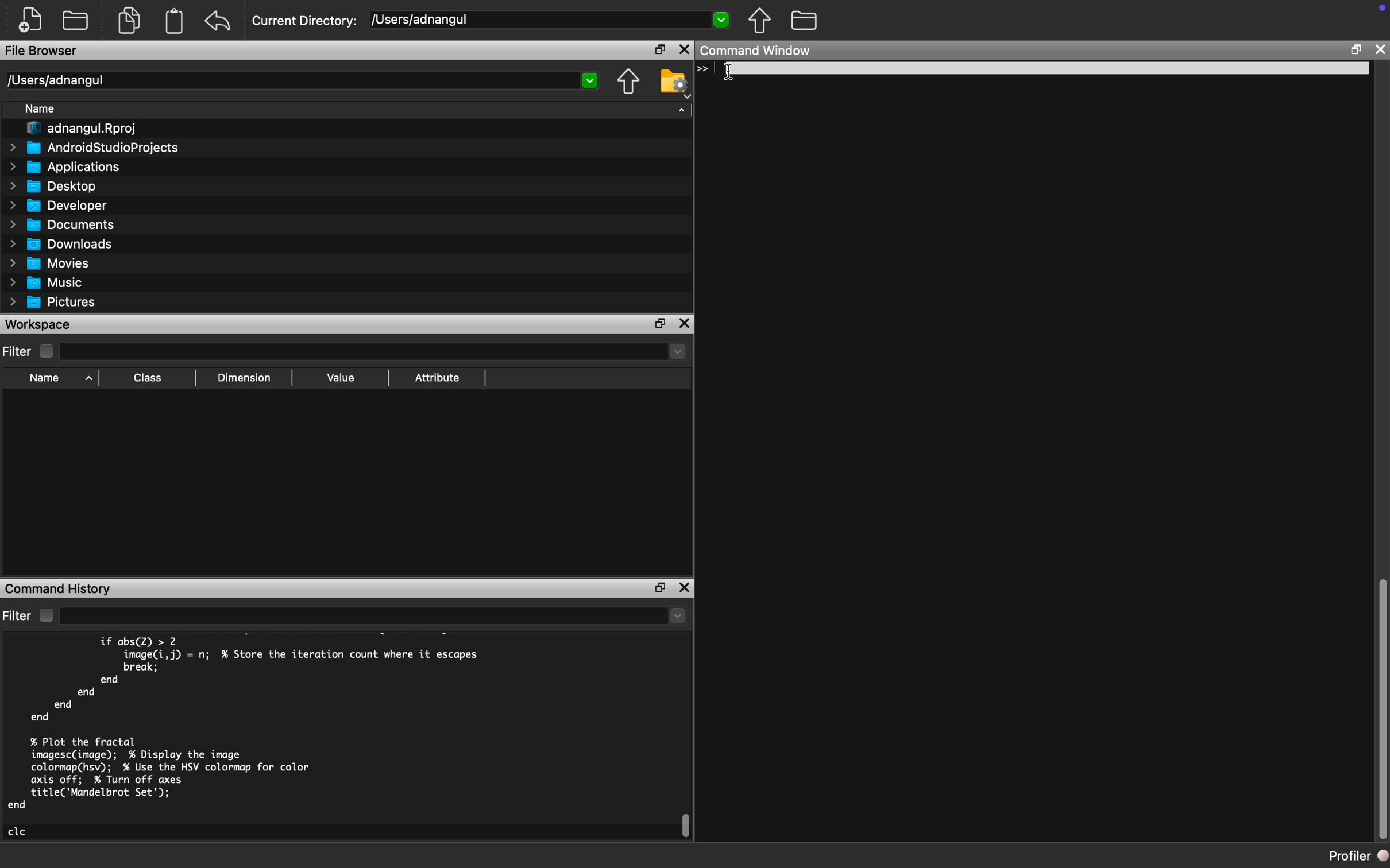 Image resolution: width=1390 pixels, height=868 pixels. Describe the element at coordinates (684, 588) in the screenshot. I see `Close` at that location.